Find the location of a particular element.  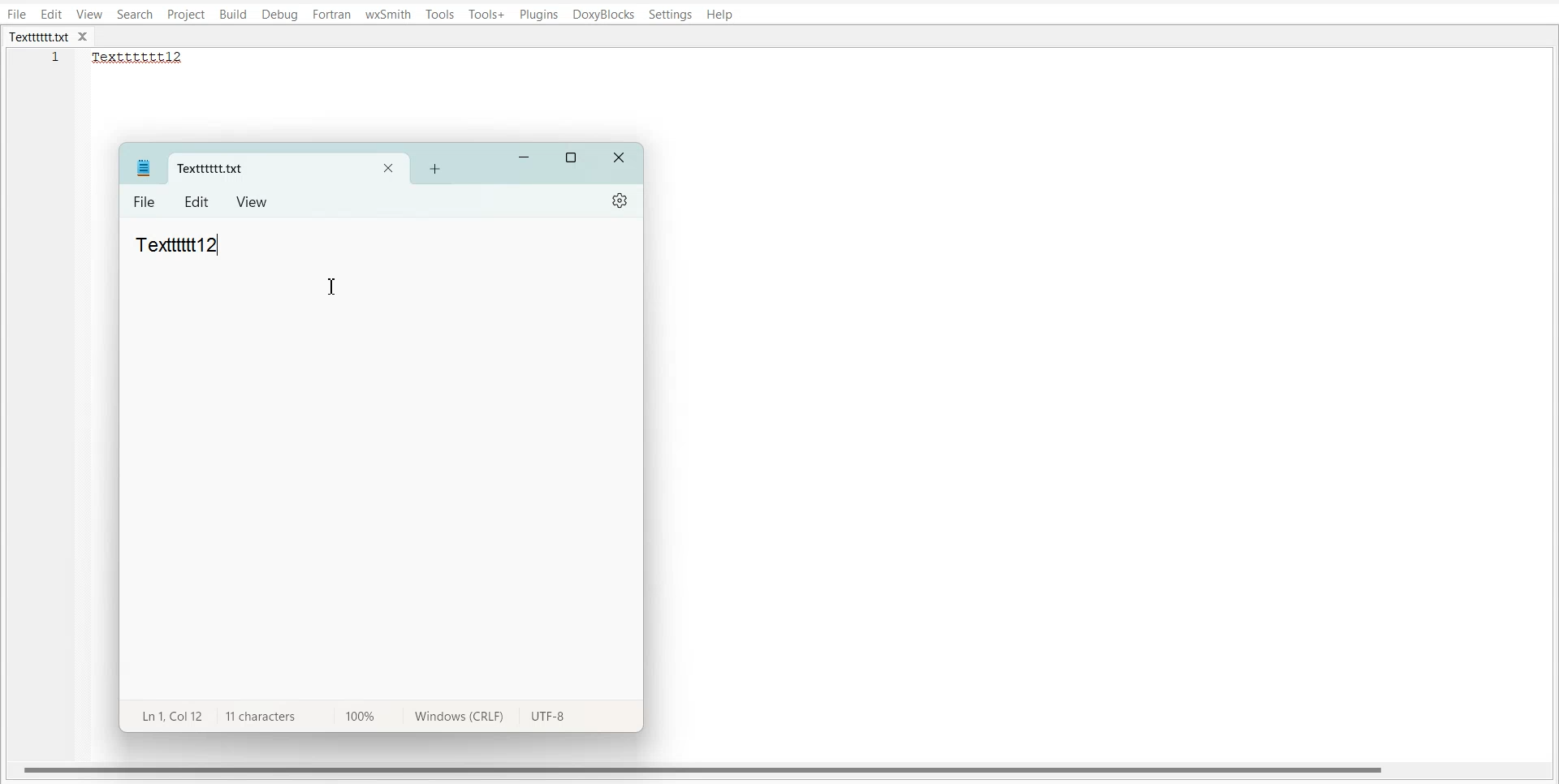

Fortran is located at coordinates (331, 15).